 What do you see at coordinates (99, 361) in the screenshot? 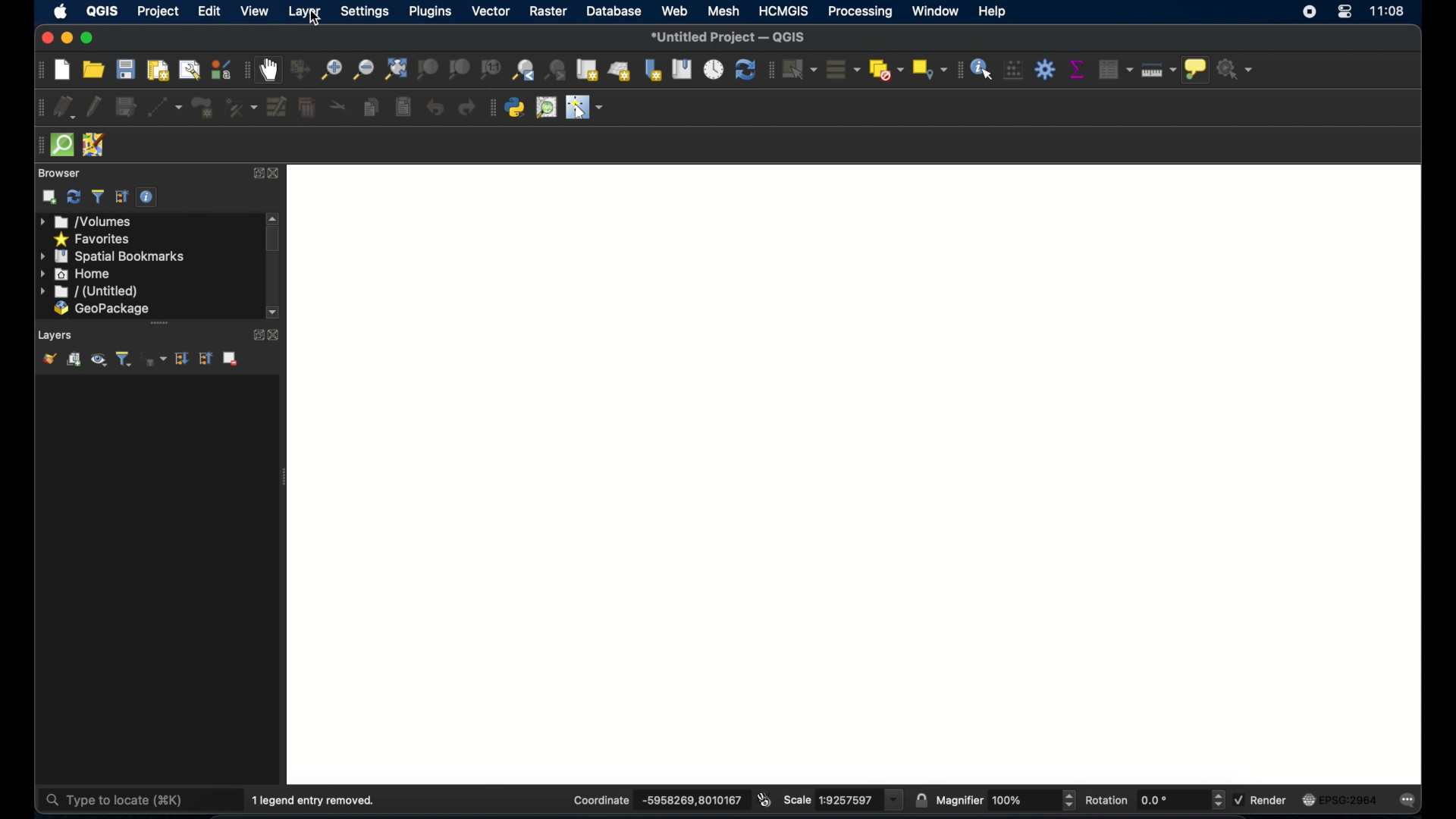
I see `manage map theme` at bounding box center [99, 361].